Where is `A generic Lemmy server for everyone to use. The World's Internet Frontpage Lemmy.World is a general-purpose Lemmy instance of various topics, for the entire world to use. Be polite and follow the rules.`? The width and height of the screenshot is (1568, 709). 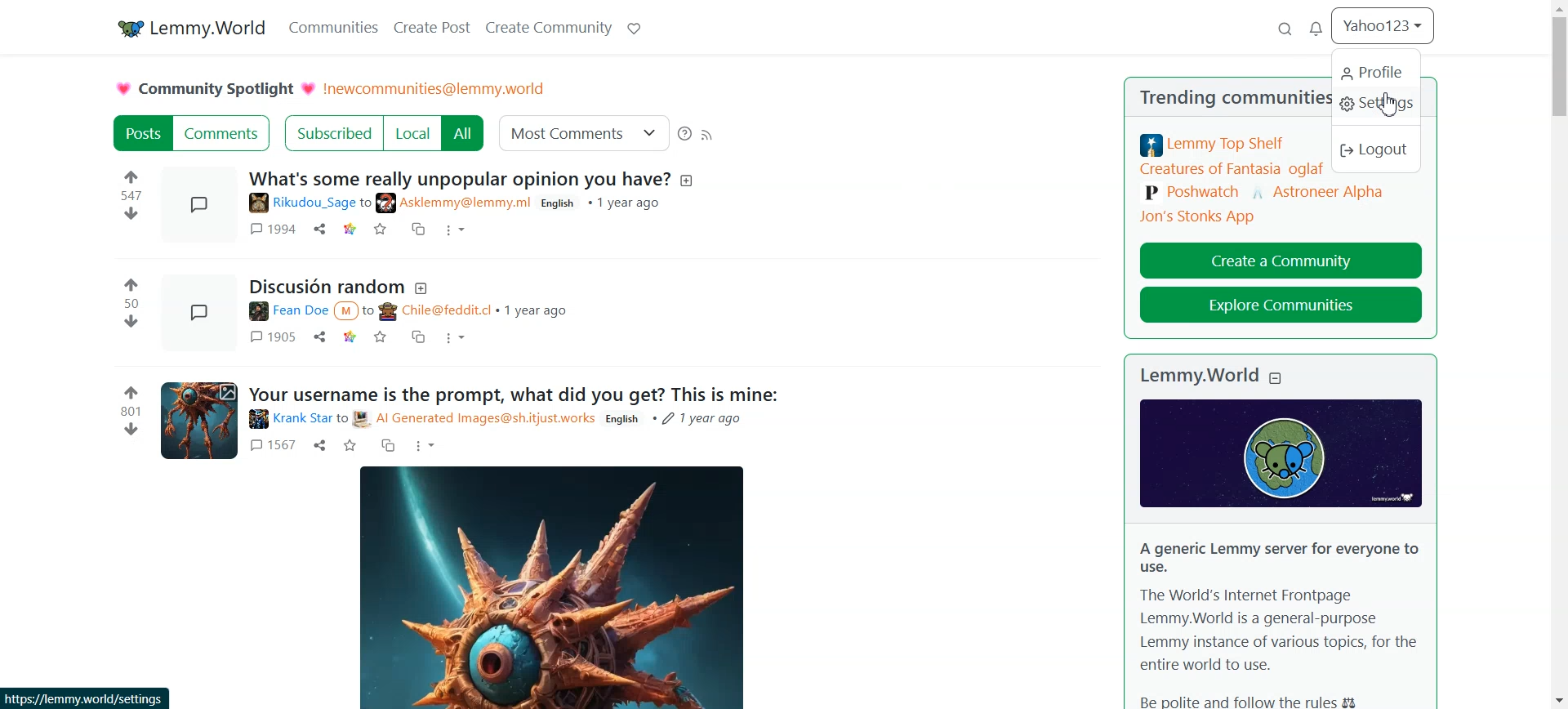
A generic Lemmy server for everyone to use. The World's Internet Frontpage Lemmy.World is a general-purpose Lemmy instance of various topics, for the entire world to use. Be polite and follow the rules. is located at coordinates (1277, 622).